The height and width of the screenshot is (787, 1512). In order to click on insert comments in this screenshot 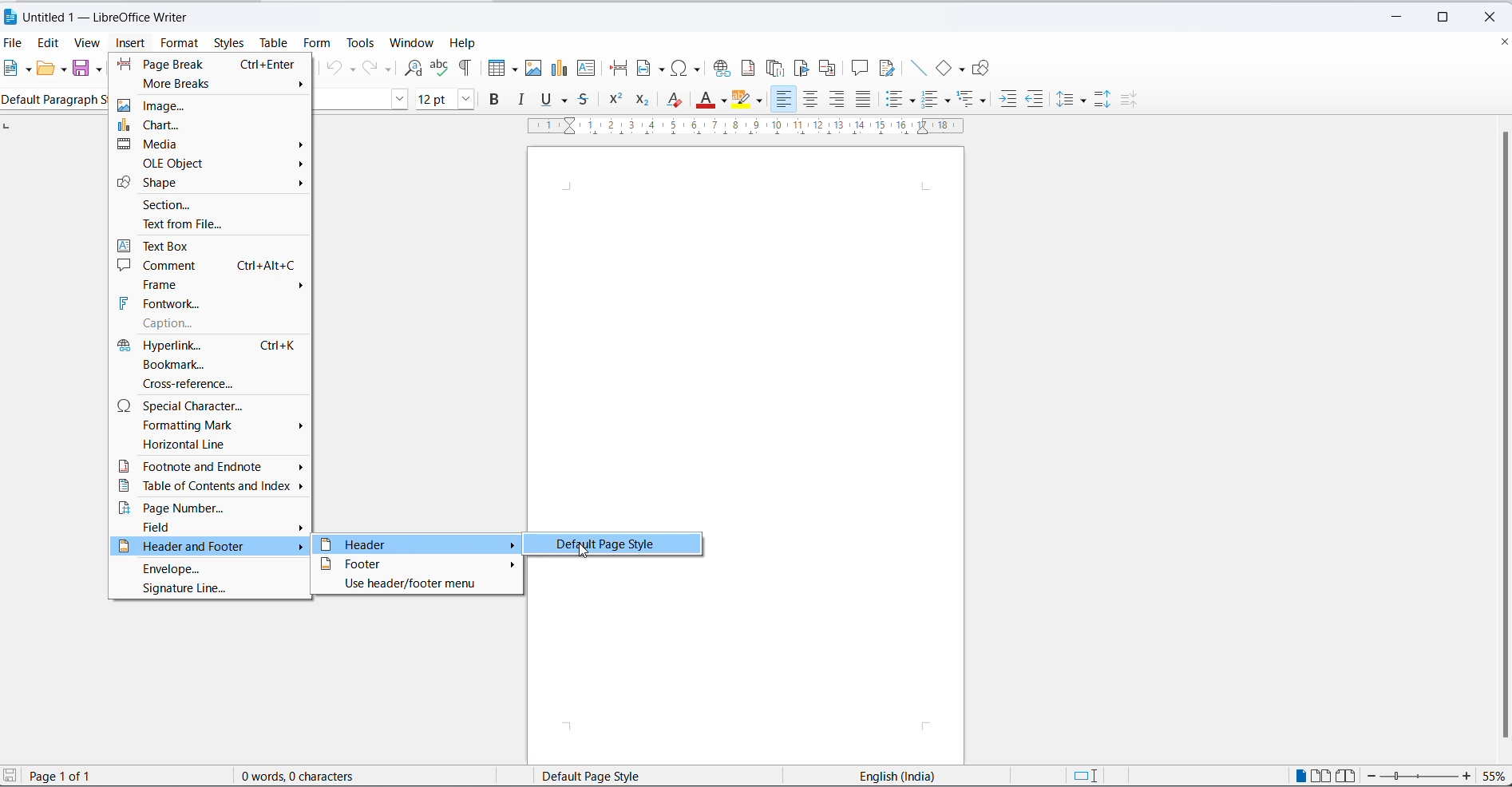, I will do `click(860, 69)`.